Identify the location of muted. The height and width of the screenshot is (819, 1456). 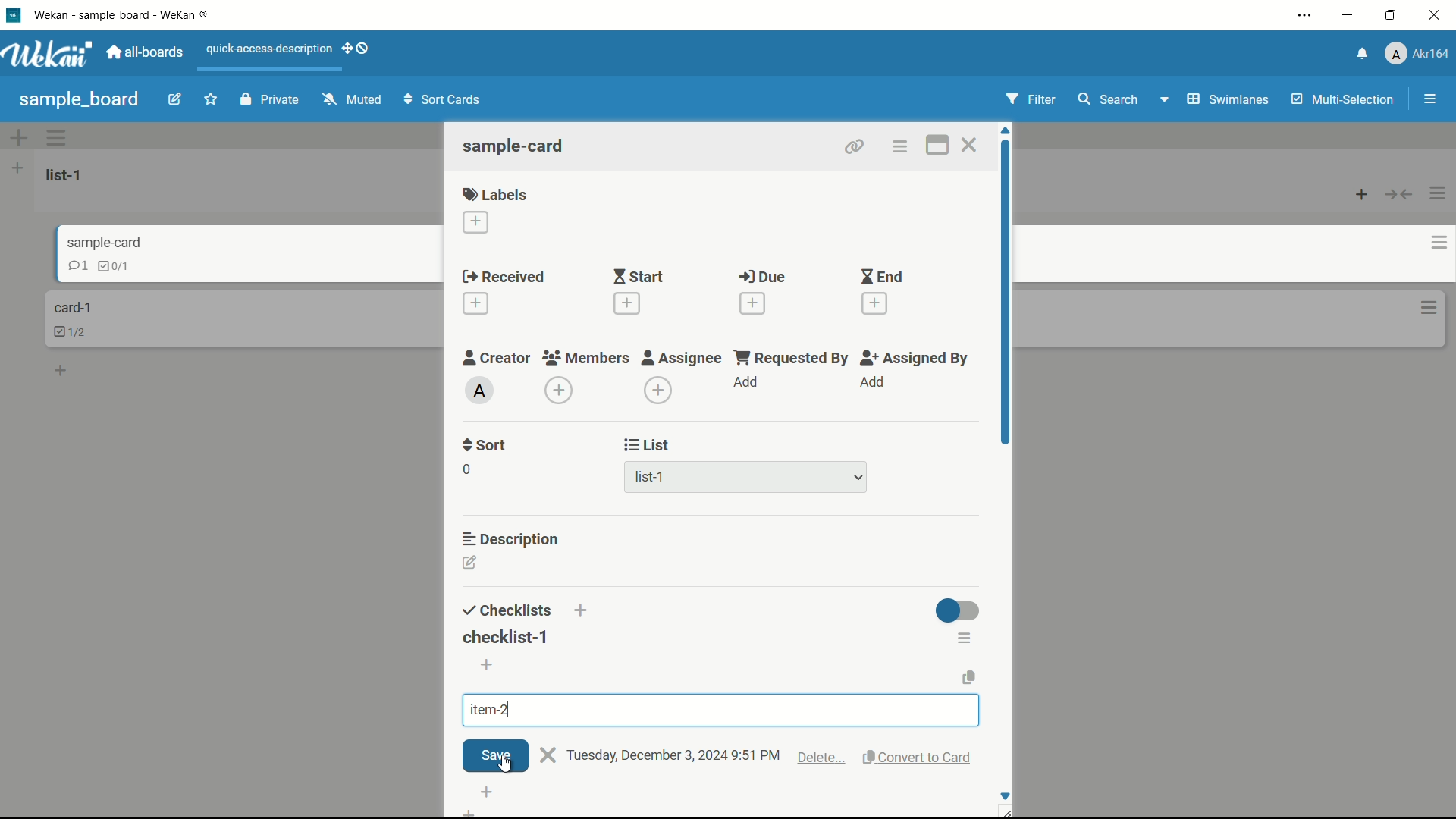
(353, 99).